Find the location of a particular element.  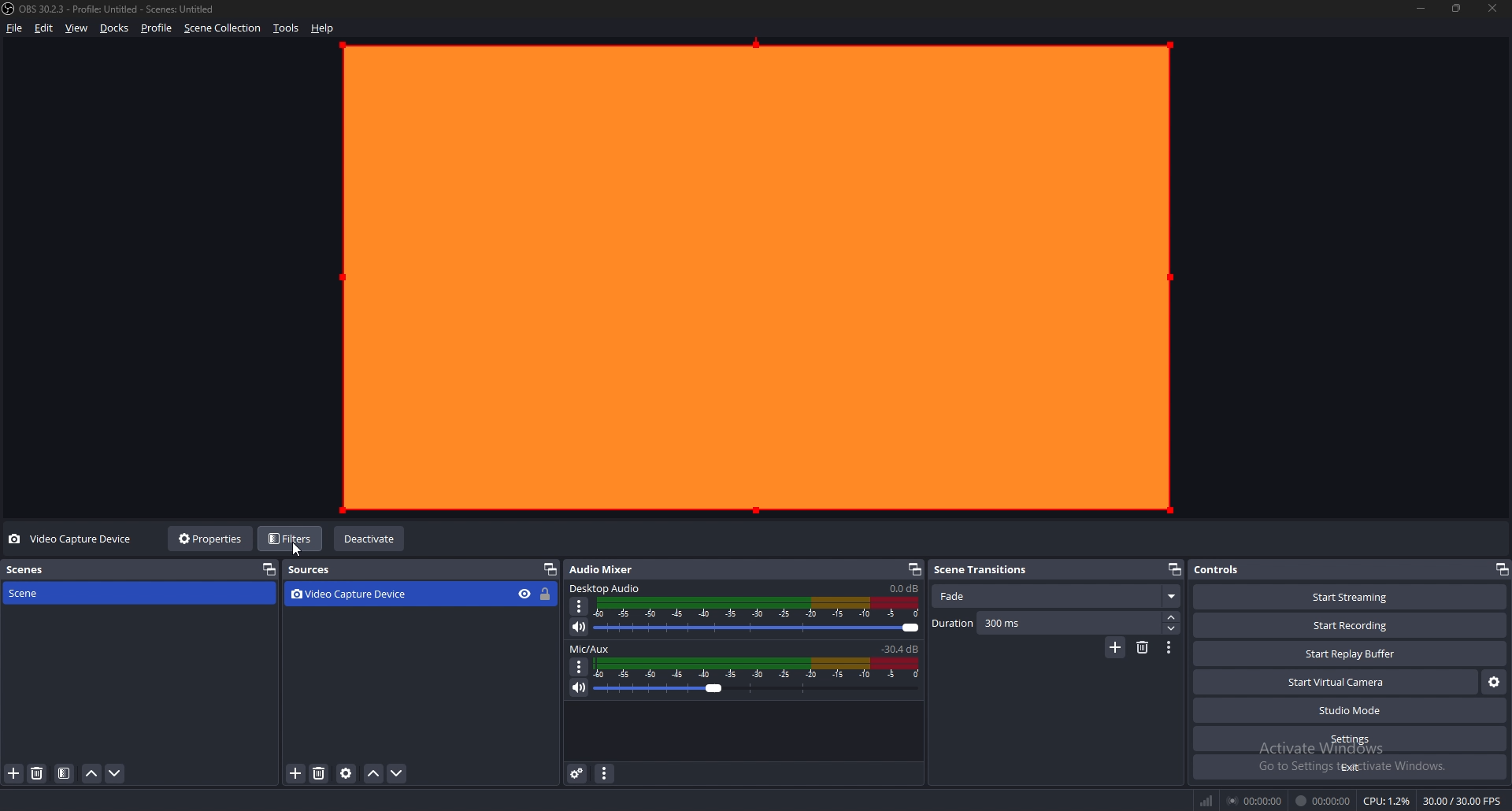

move source down is located at coordinates (398, 775).